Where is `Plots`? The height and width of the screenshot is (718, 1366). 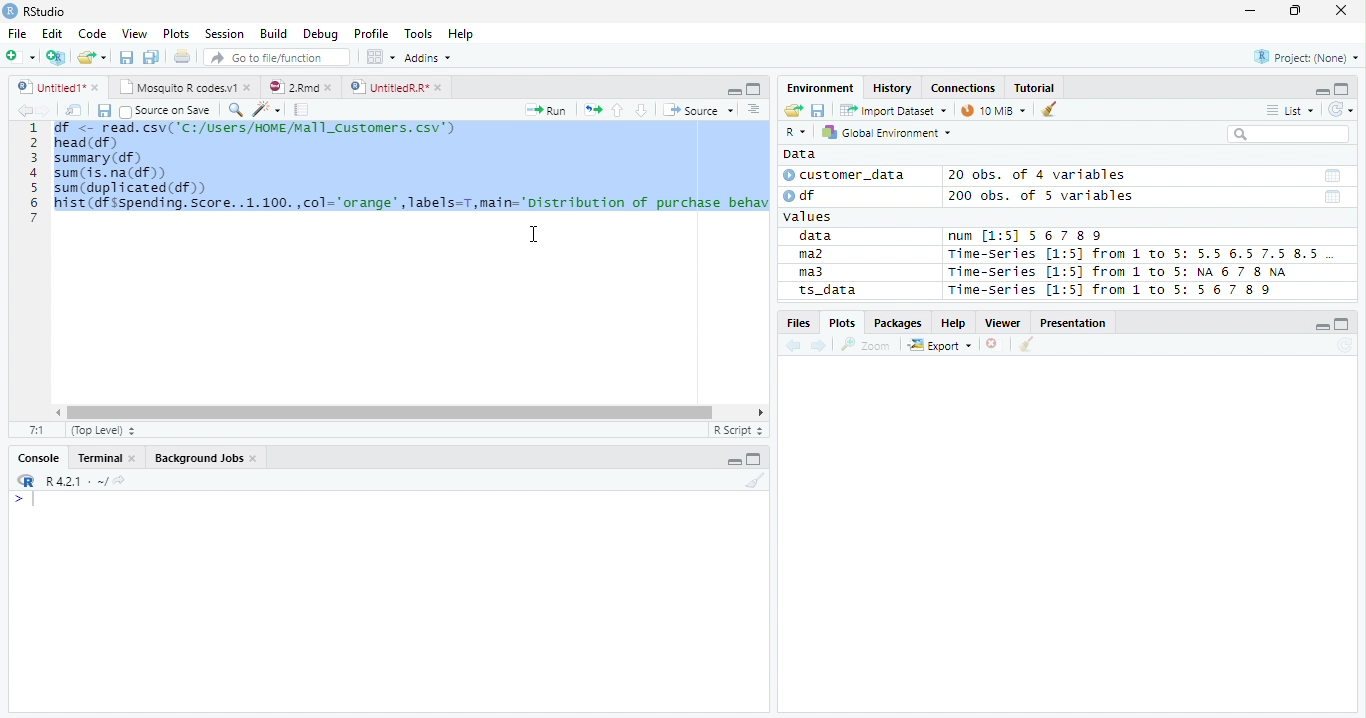
Plots is located at coordinates (842, 322).